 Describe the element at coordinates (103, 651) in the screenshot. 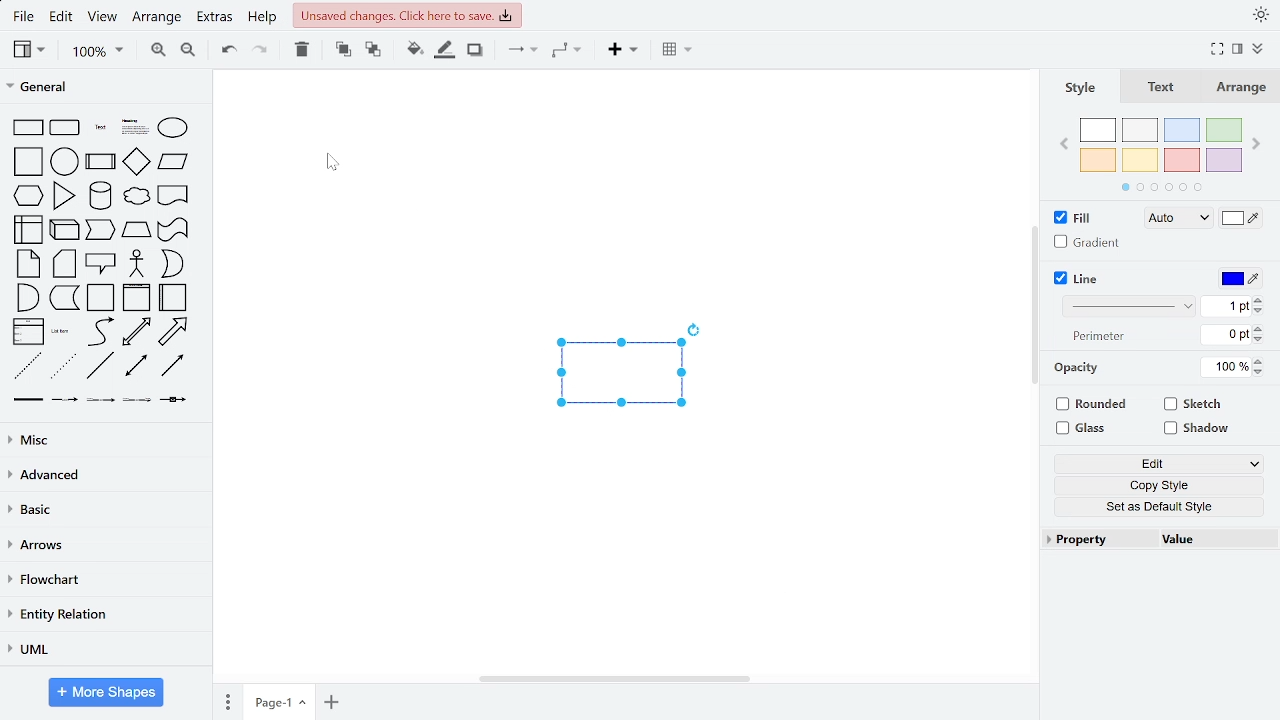

I see `UML` at that location.